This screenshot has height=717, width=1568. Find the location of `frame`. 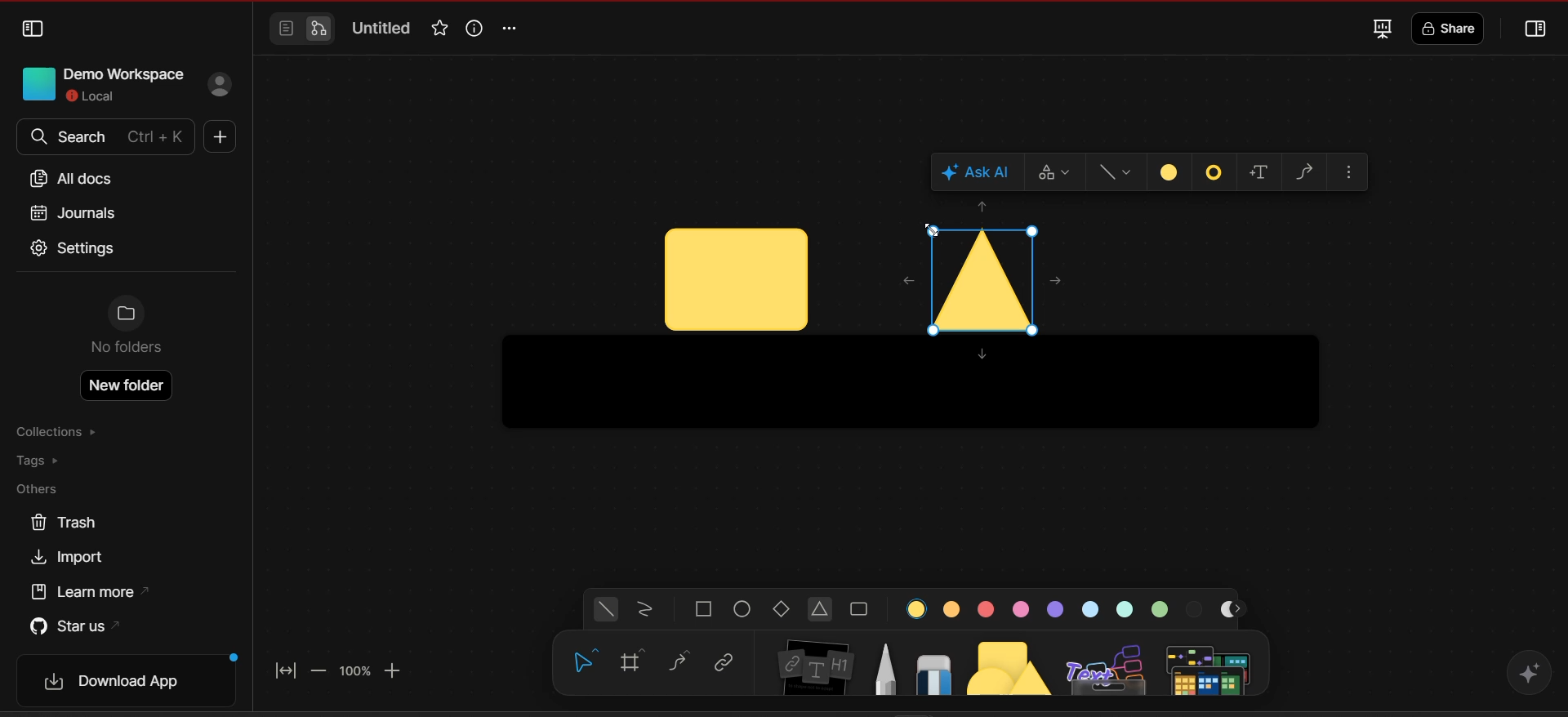

frame is located at coordinates (638, 662).